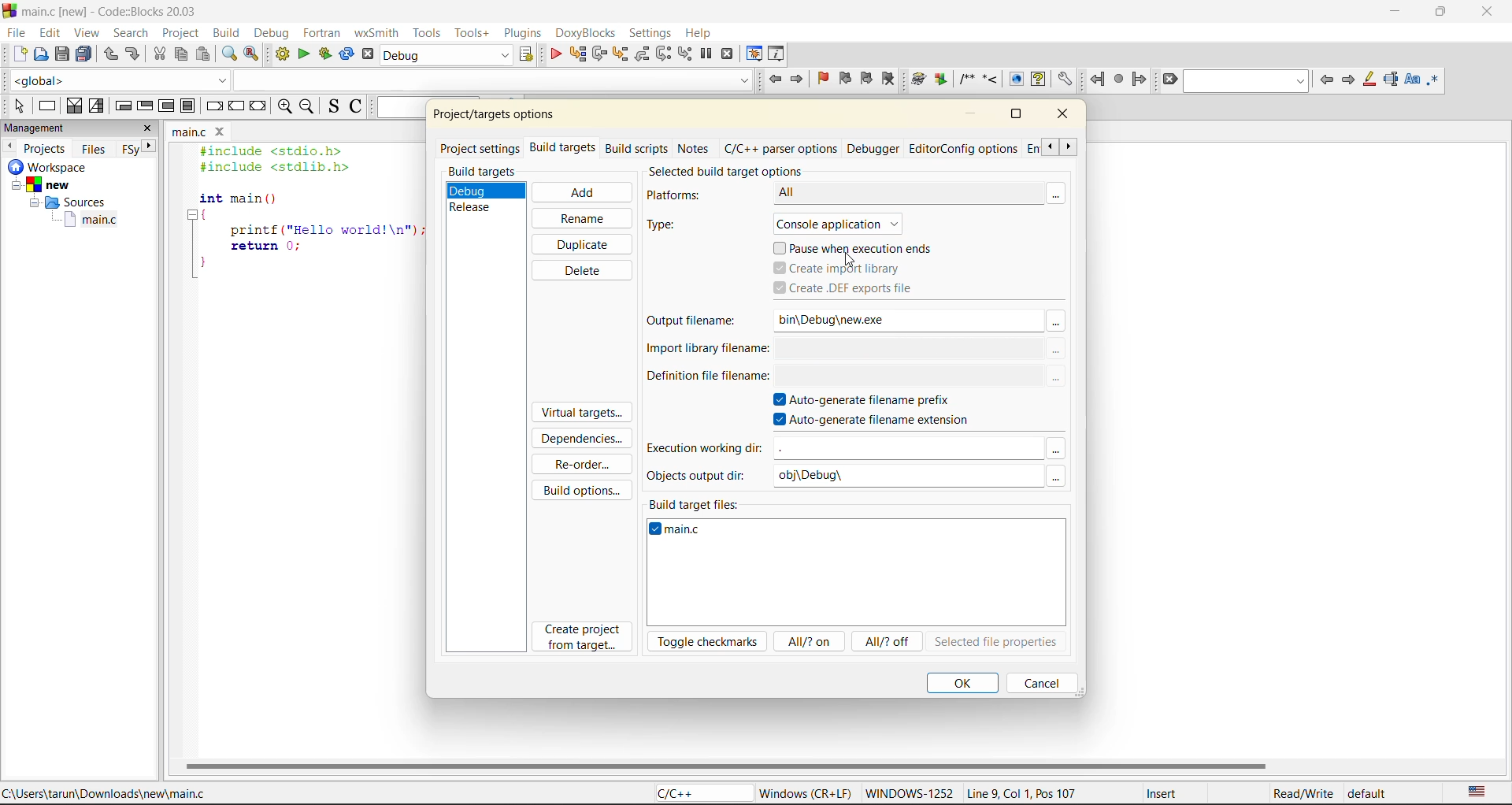 The width and height of the screenshot is (1512, 805). I want to click on $(TARGET_OUTPUT_DIR)$(TARGET_OUTPUT_BASEN . |, so click(906, 377).